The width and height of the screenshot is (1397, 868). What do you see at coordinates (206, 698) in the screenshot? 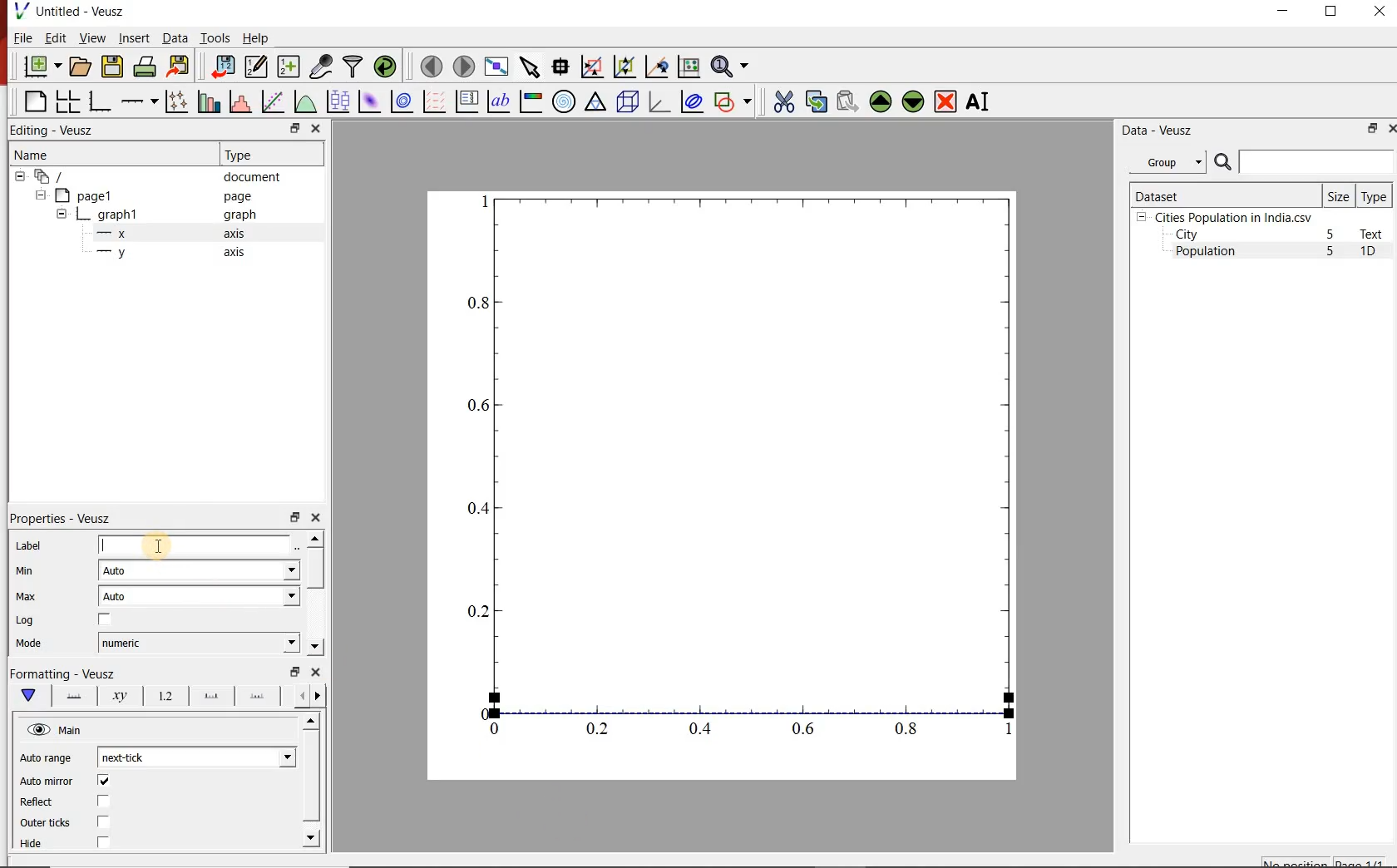
I see `Major ticks` at bounding box center [206, 698].